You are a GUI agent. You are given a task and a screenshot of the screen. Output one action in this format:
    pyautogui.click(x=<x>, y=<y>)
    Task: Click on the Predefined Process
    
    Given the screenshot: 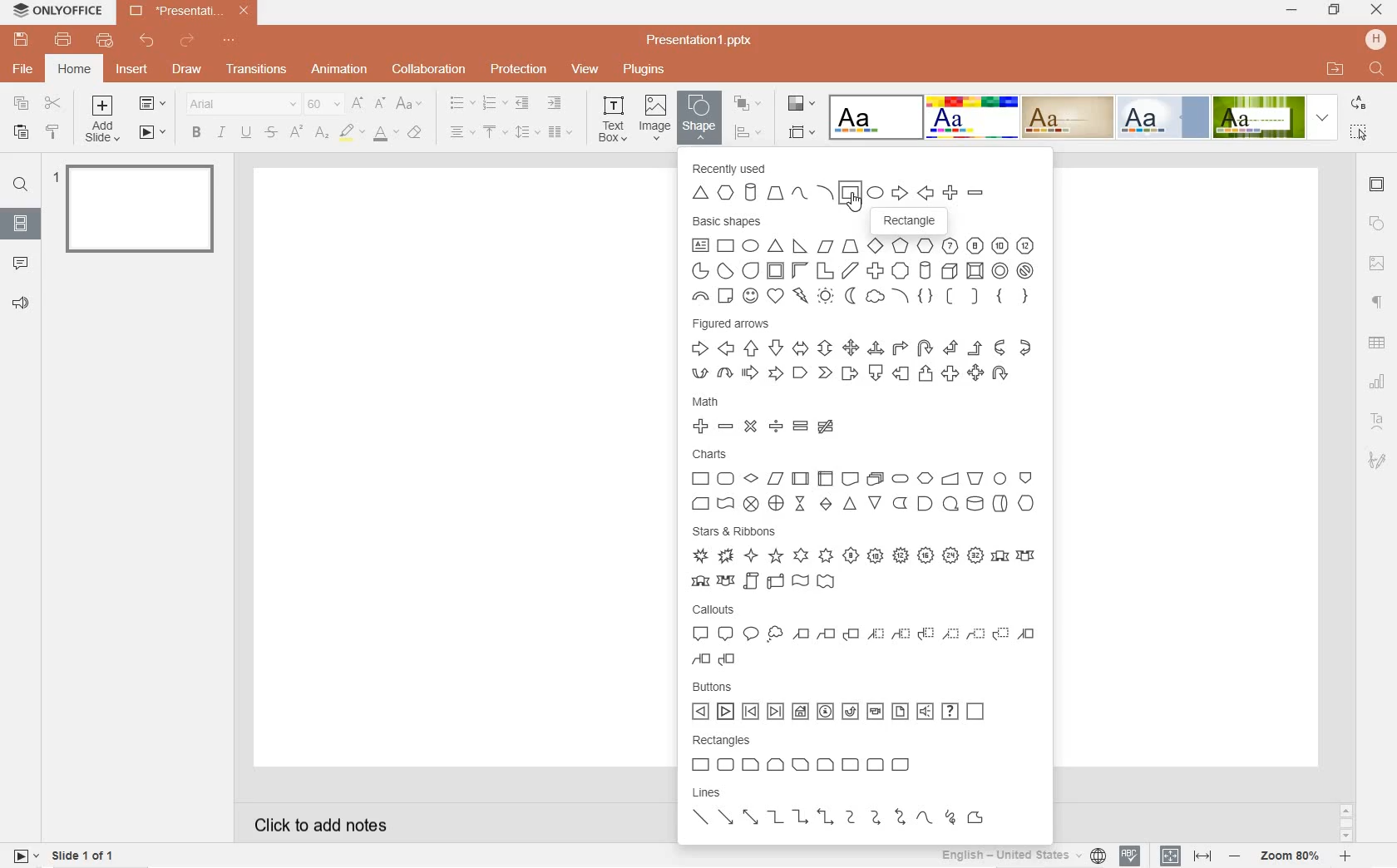 What is the action you would take?
    pyautogui.click(x=801, y=479)
    